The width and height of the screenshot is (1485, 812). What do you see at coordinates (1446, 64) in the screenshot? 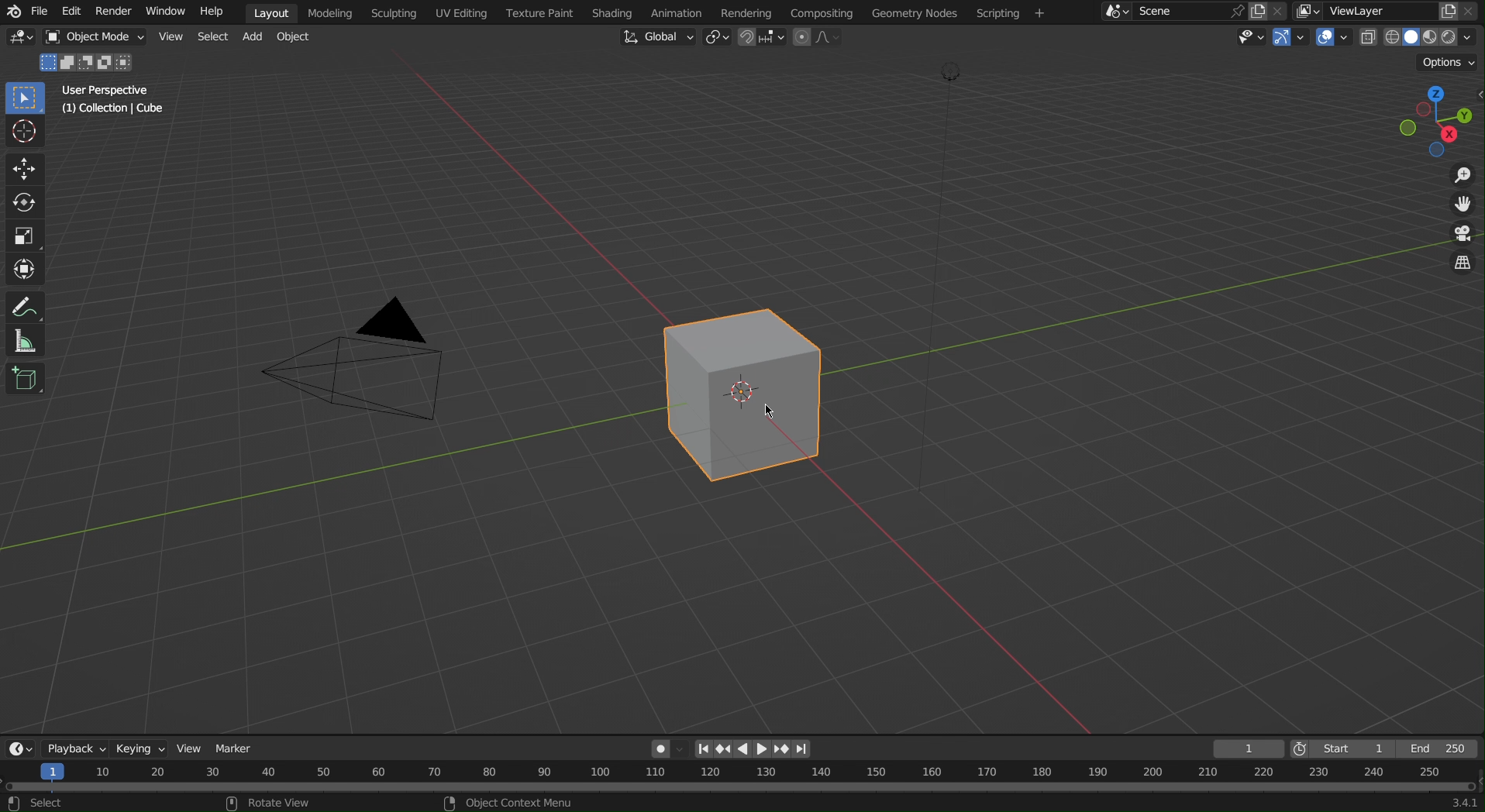
I see `Options` at bounding box center [1446, 64].